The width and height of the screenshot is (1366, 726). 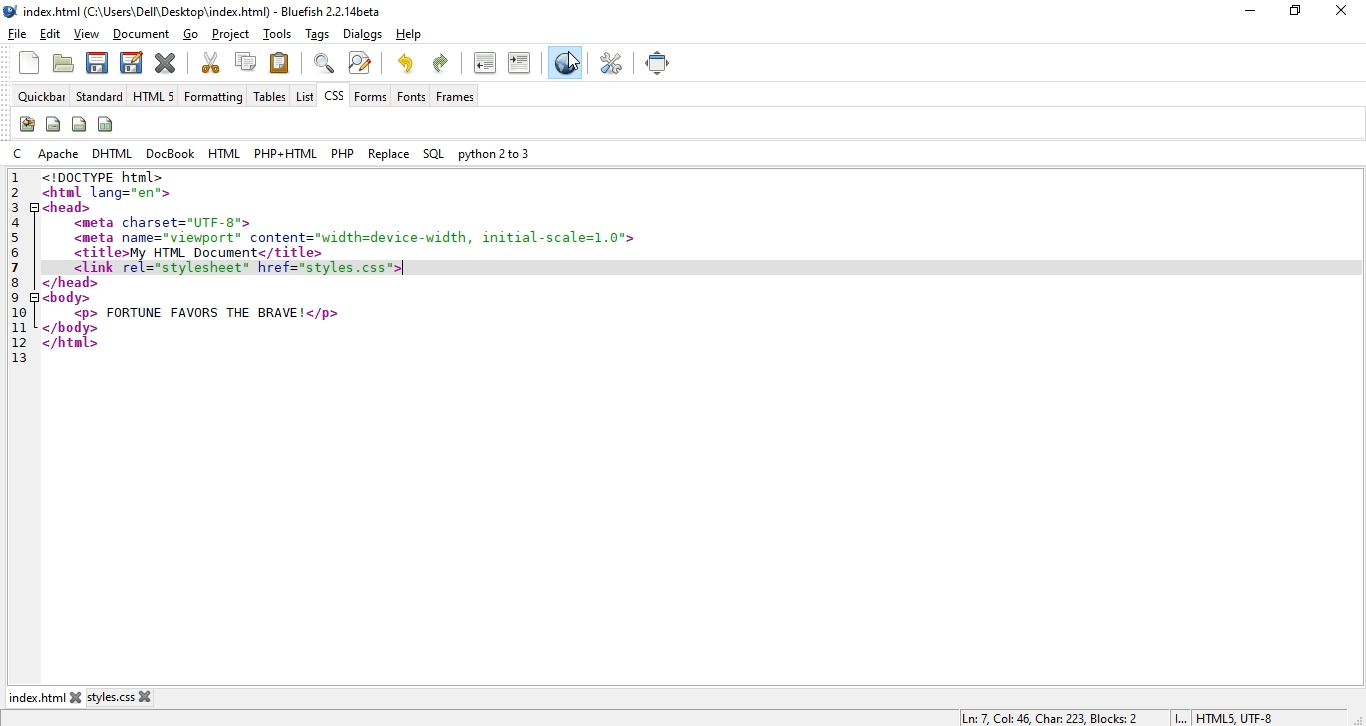 What do you see at coordinates (232, 34) in the screenshot?
I see `project` at bounding box center [232, 34].